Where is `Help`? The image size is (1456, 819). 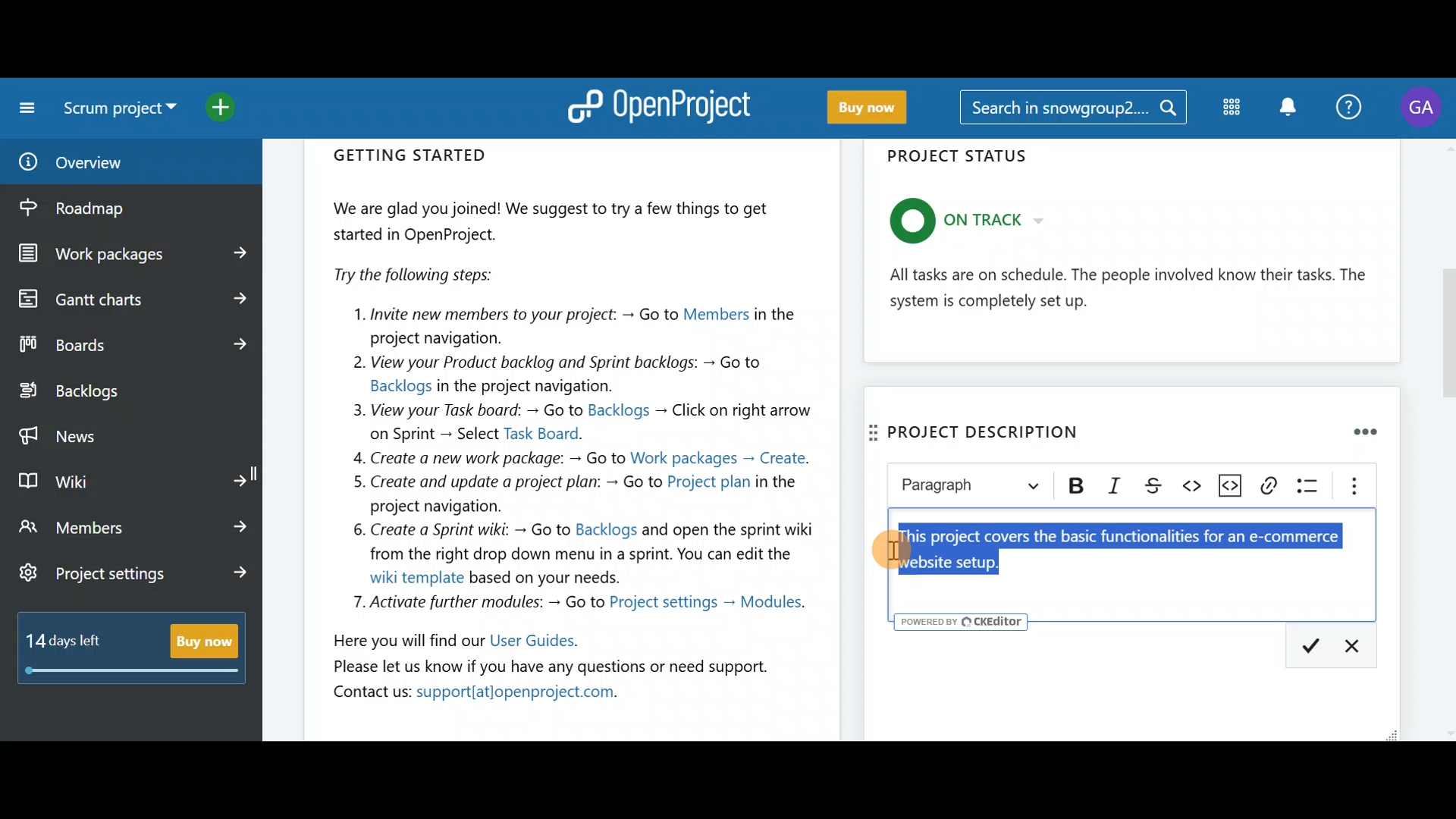 Help is located at coordinates (1351, 105).